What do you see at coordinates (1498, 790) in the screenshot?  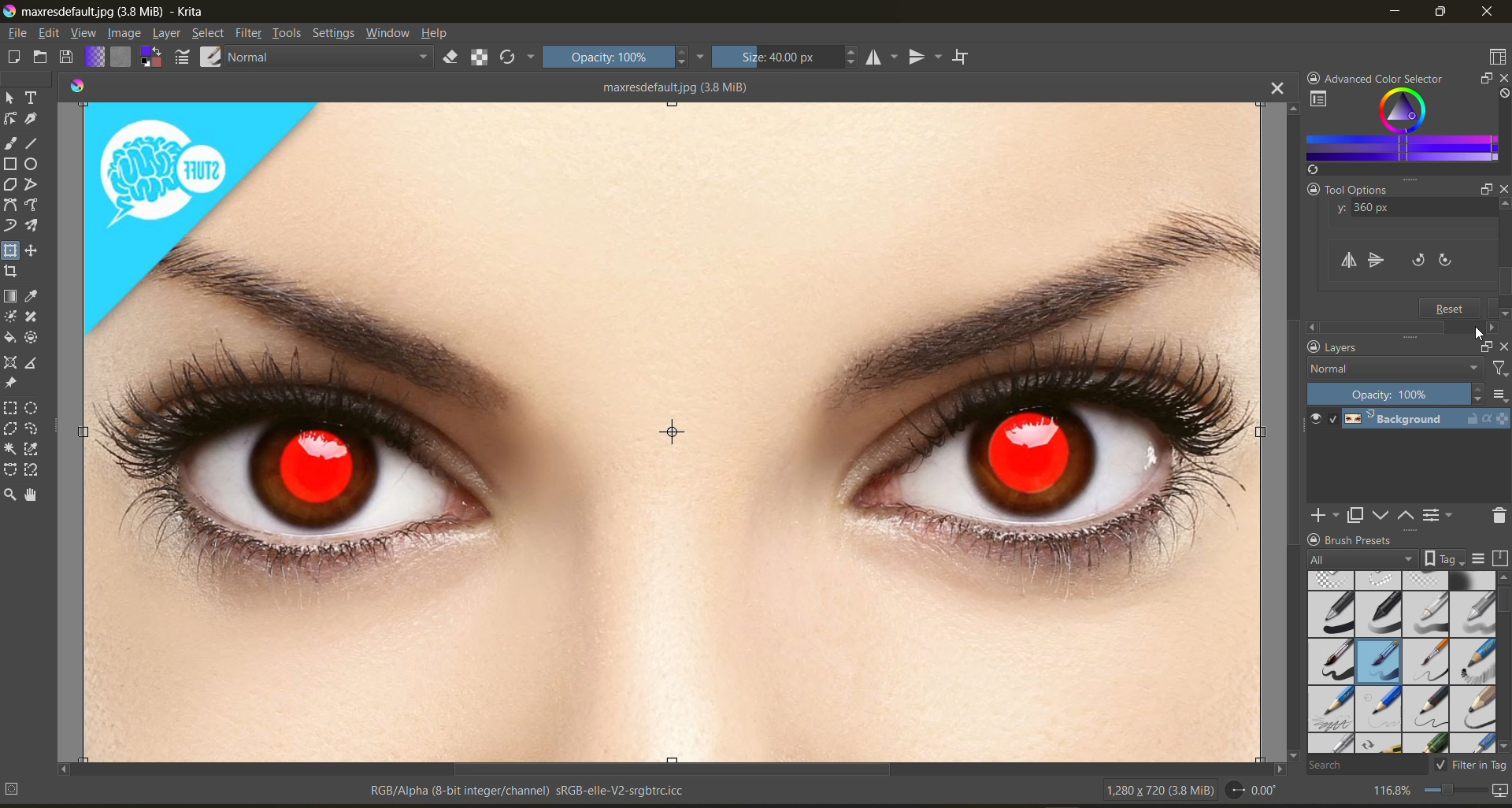 I see `map the canvas` at bounding box center [1498, 790].